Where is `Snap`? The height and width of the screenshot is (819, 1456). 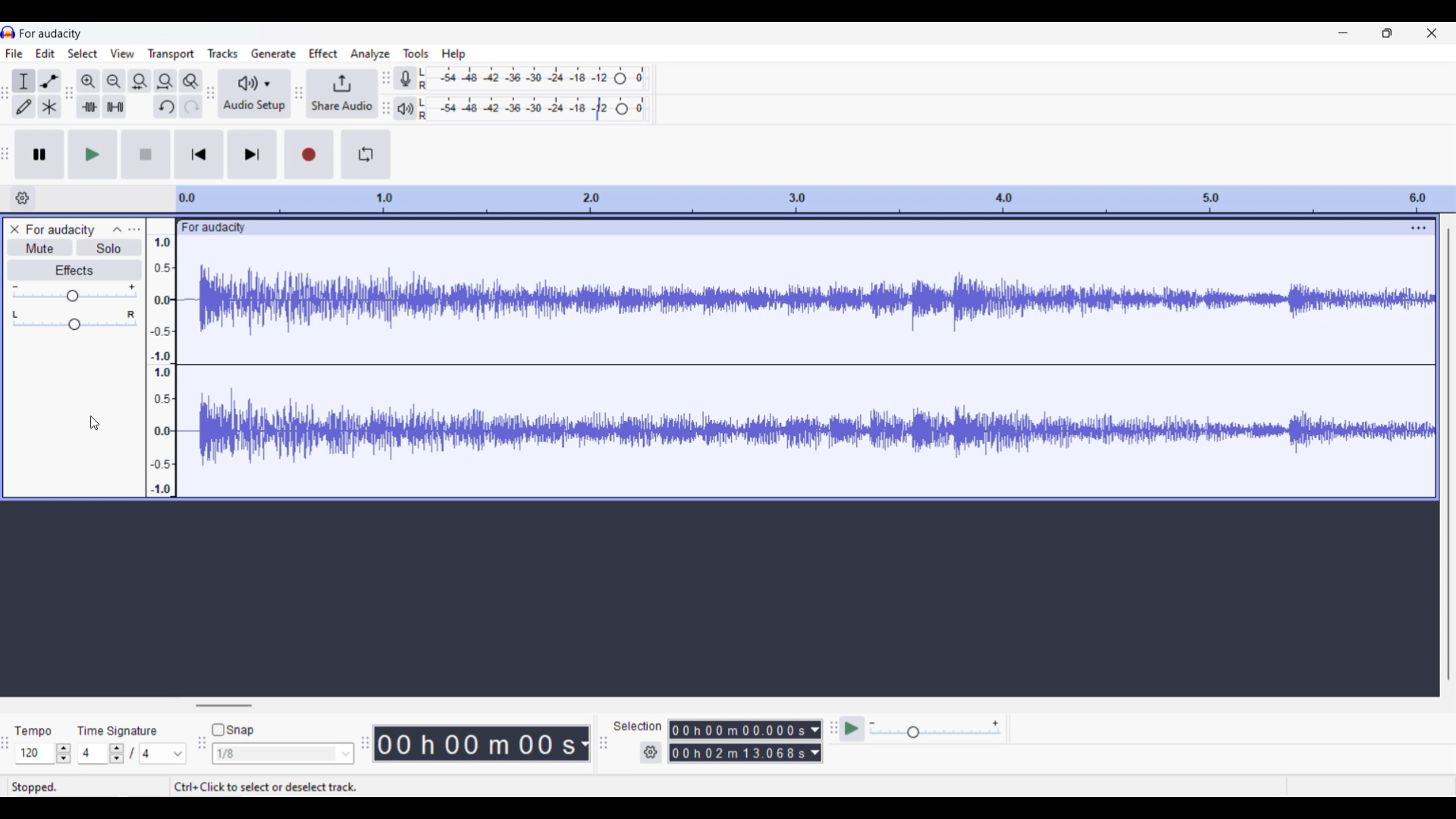
Snap is located at coordinates (233, 730).